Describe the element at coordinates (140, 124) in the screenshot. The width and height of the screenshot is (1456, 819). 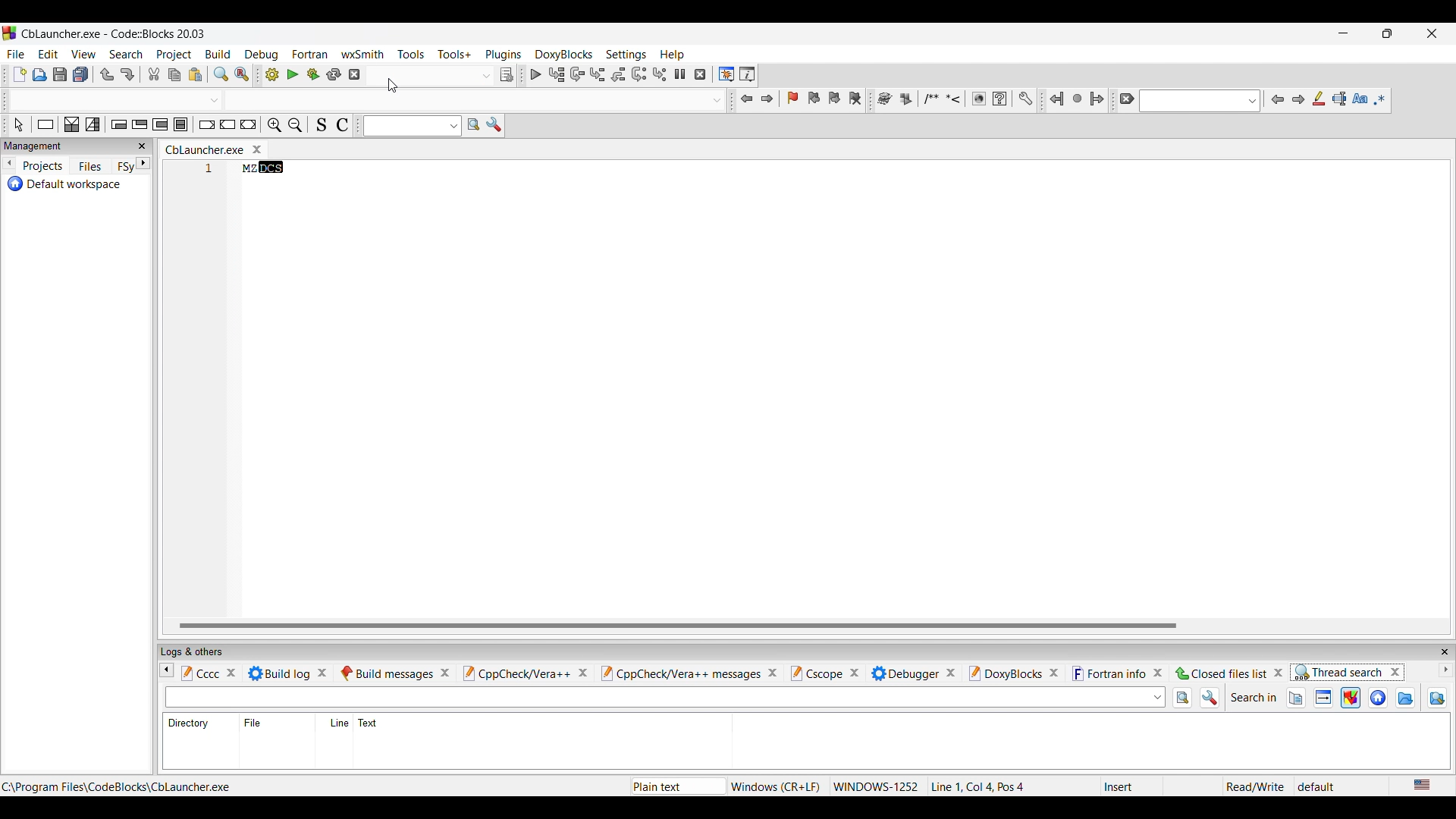
I see `Exit condition loop` at that location.